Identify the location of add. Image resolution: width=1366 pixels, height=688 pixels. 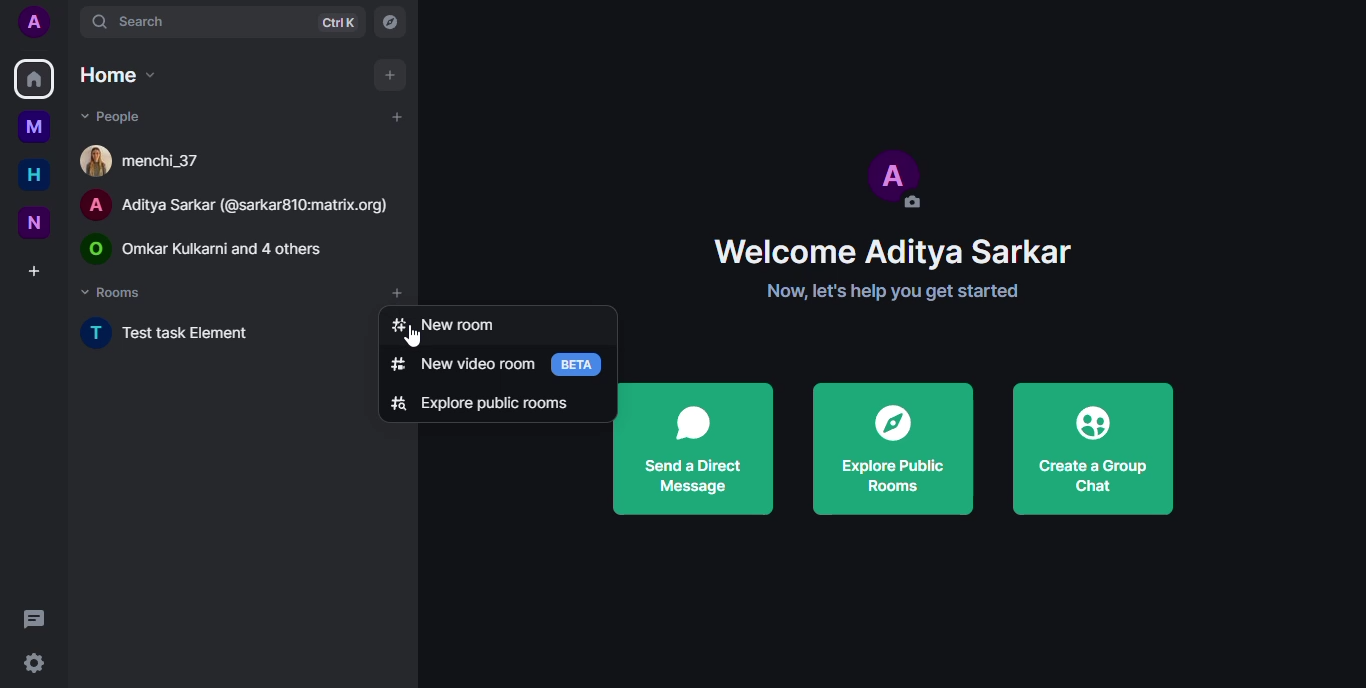
(394, 115).